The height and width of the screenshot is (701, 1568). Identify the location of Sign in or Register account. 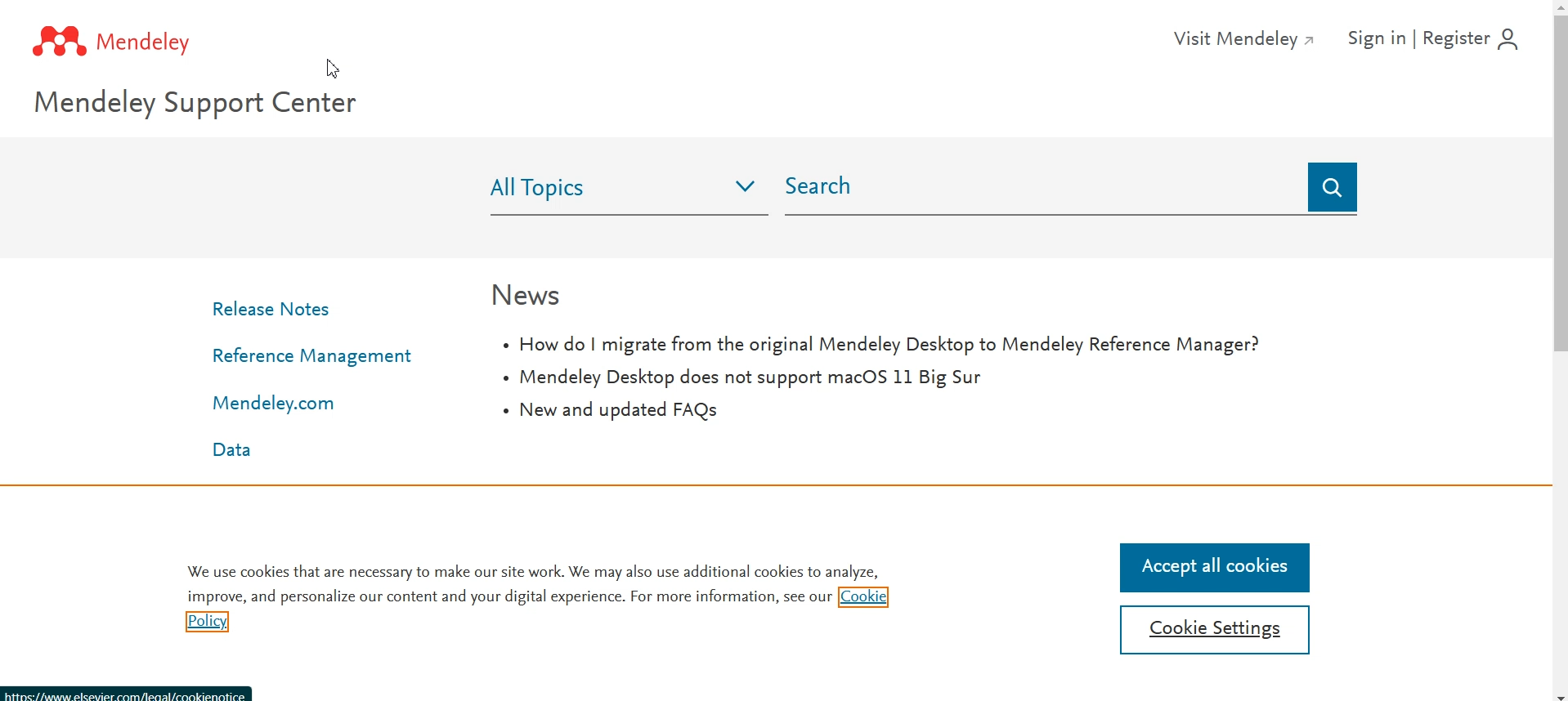
(1445, 42).